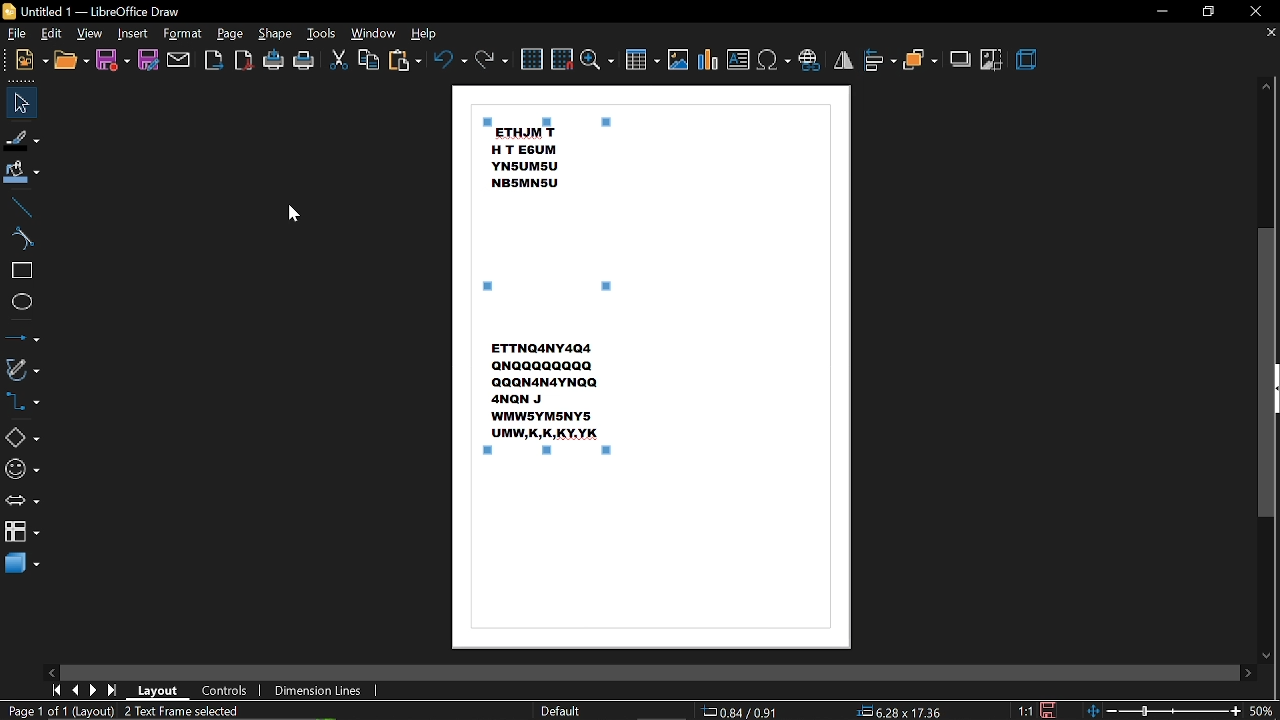  What do you see at coordinates (922, 60) in the screenshot?
I see `arrange` at bounding box center [922, 60].